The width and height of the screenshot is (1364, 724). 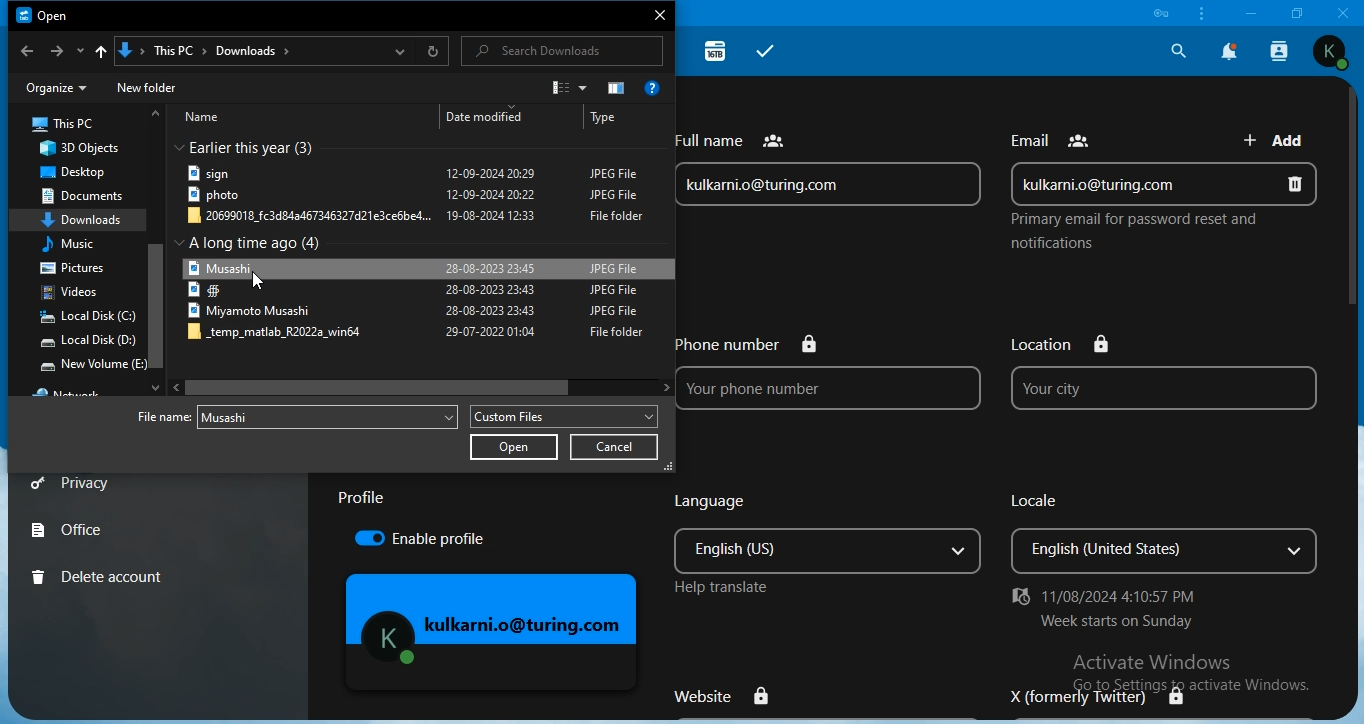 What do you see at coordinates (147, 85) in the screenshot?
I see `new folder` at bounding box center [147, 85].